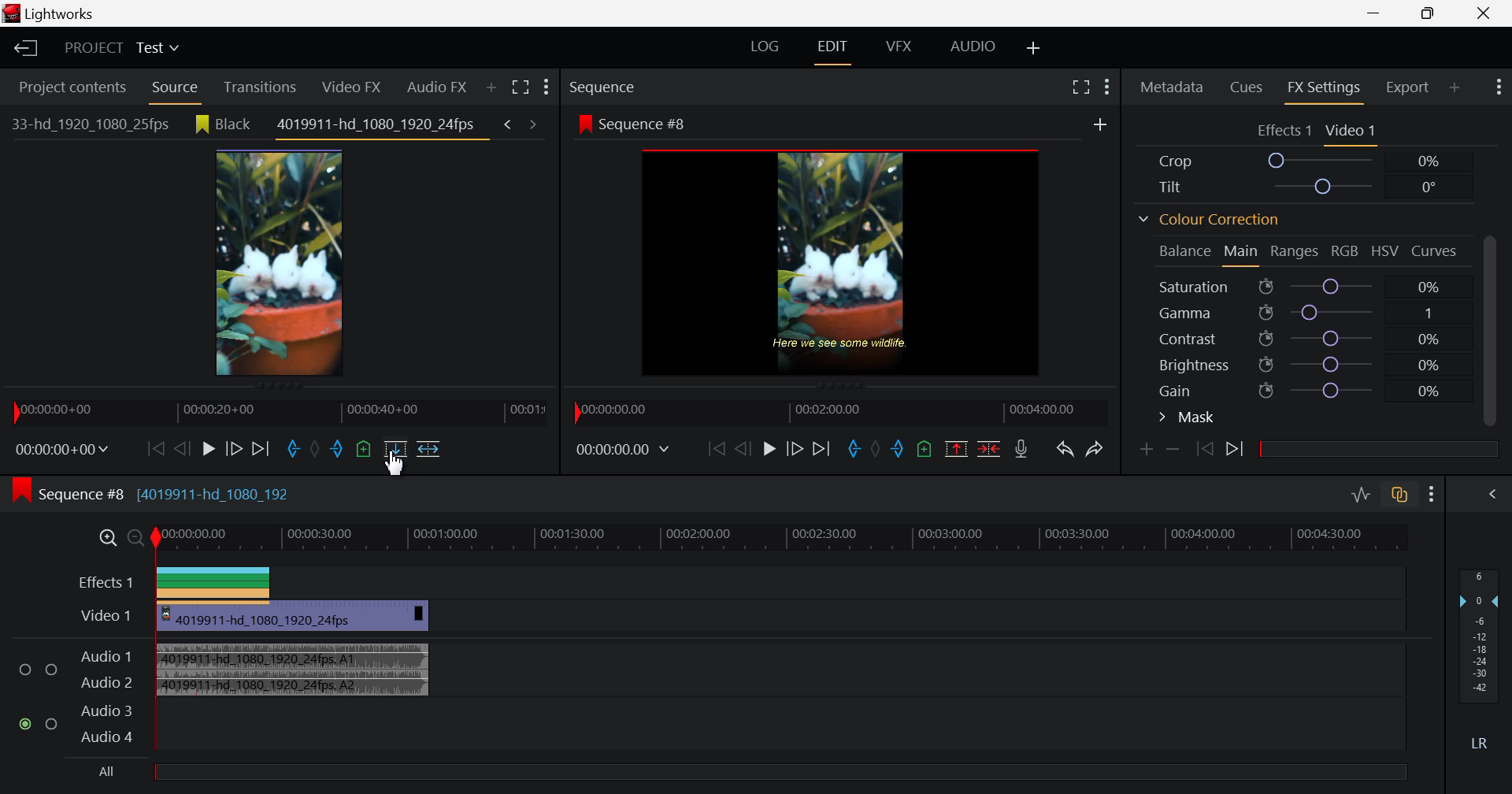  What do you see at coordinates (1249, 88) in the screenshot?
I see `Cues` at bounding box center [1249, 88].